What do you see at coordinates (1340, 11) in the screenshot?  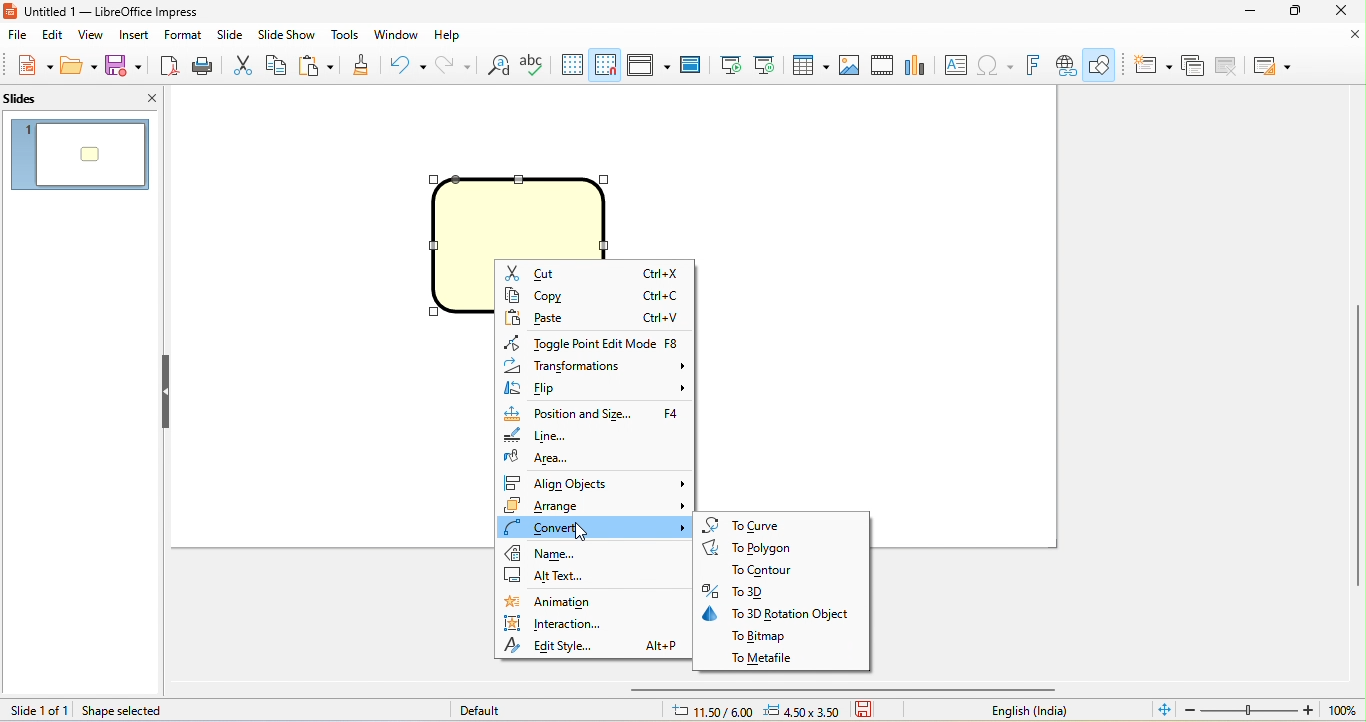 I see `close` at bounding box center [1340, 11].